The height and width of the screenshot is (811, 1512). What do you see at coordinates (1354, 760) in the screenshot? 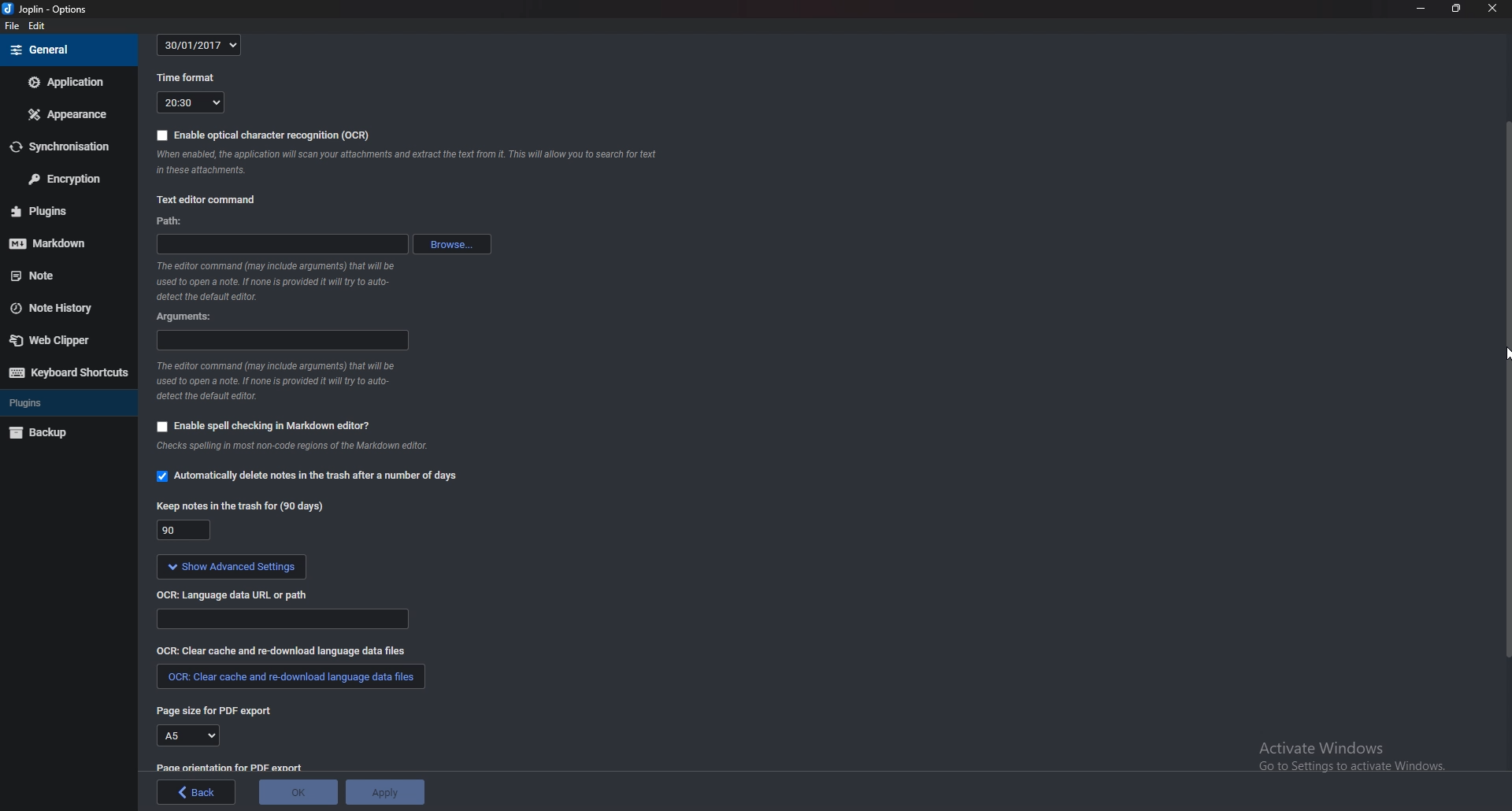
I see `activate windows` at bounding box center [1354, 760].